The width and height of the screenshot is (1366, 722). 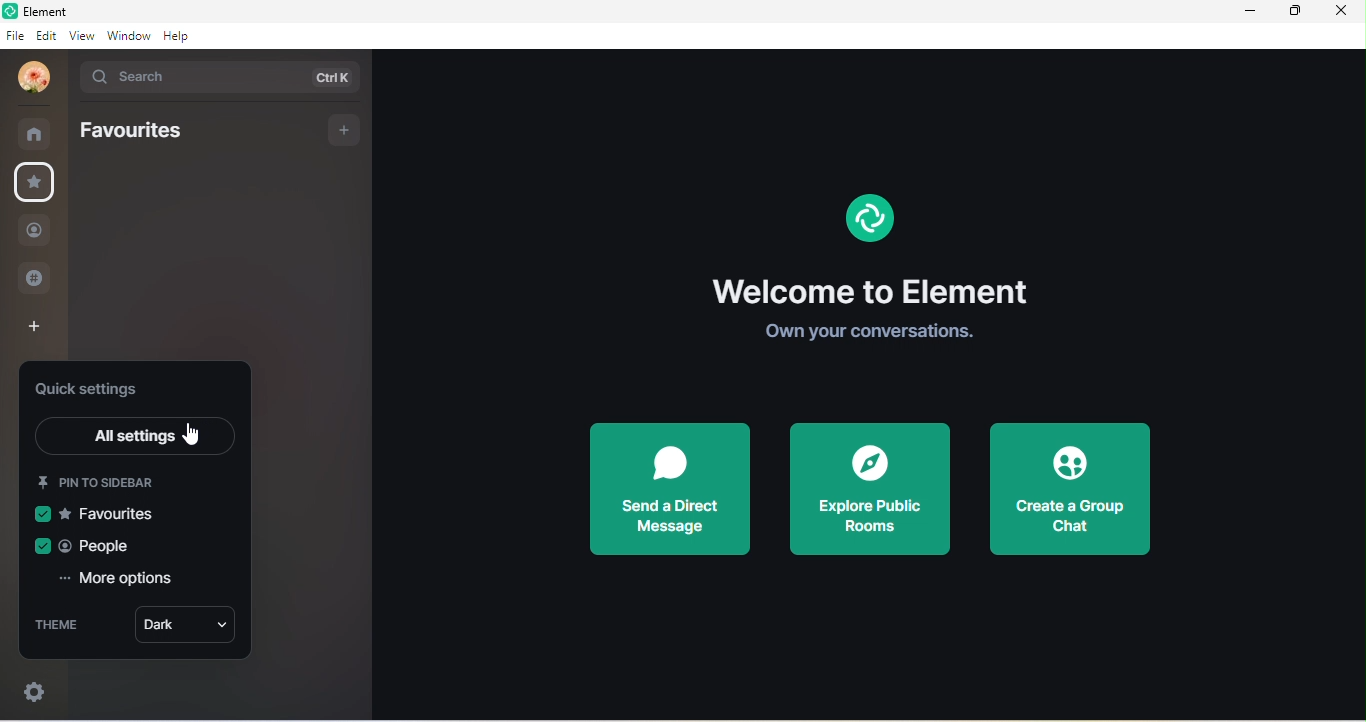 What do you see at coordinates (864, 333) in the screenshot?
I see `Own your conversations.` at bounding box center [864, 333].